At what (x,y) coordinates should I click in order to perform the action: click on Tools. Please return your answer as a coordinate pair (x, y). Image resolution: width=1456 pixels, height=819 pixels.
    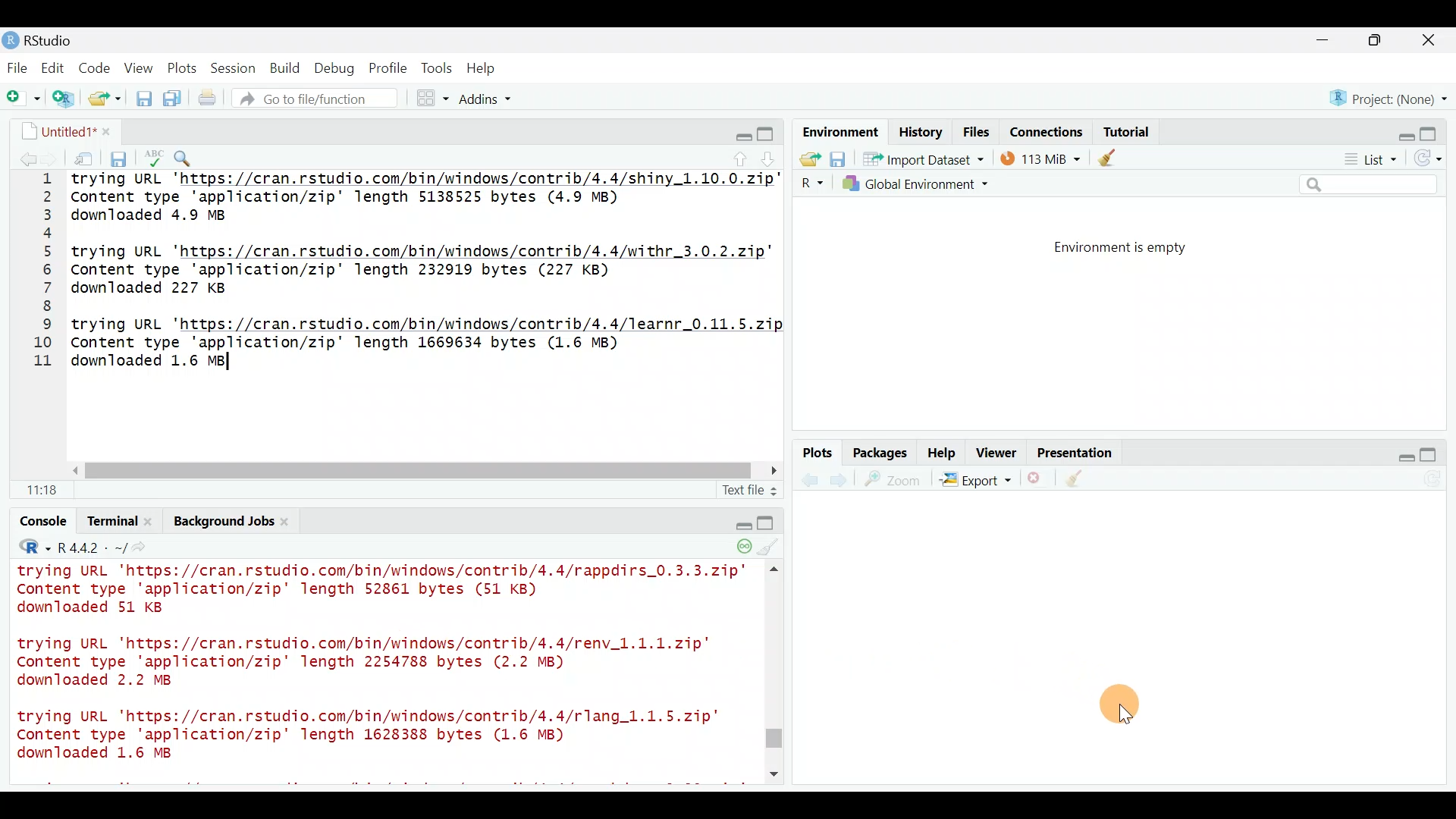
    Looking at the image, I should click on (438, 67).